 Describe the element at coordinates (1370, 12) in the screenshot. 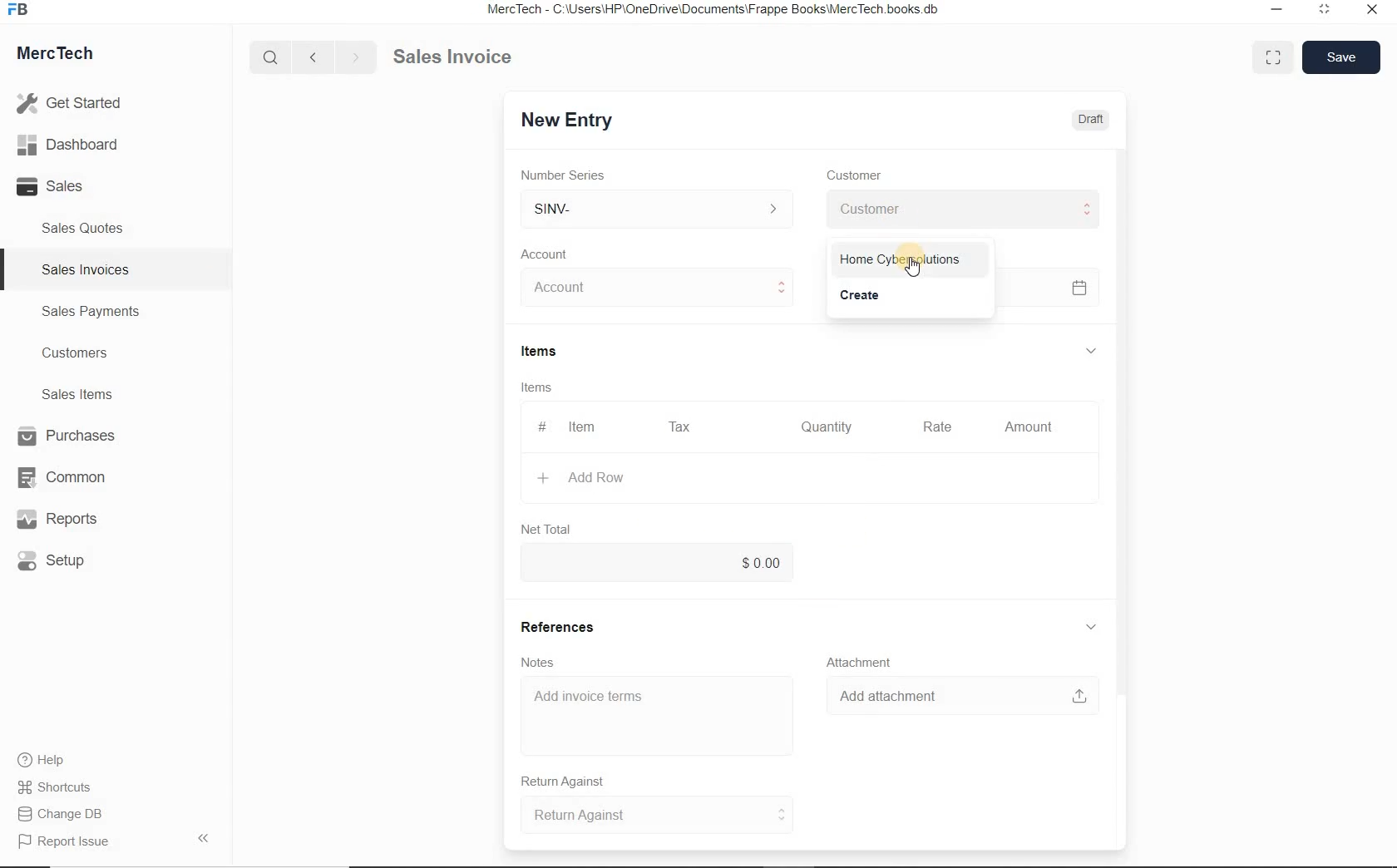

I see `Close` at that location.